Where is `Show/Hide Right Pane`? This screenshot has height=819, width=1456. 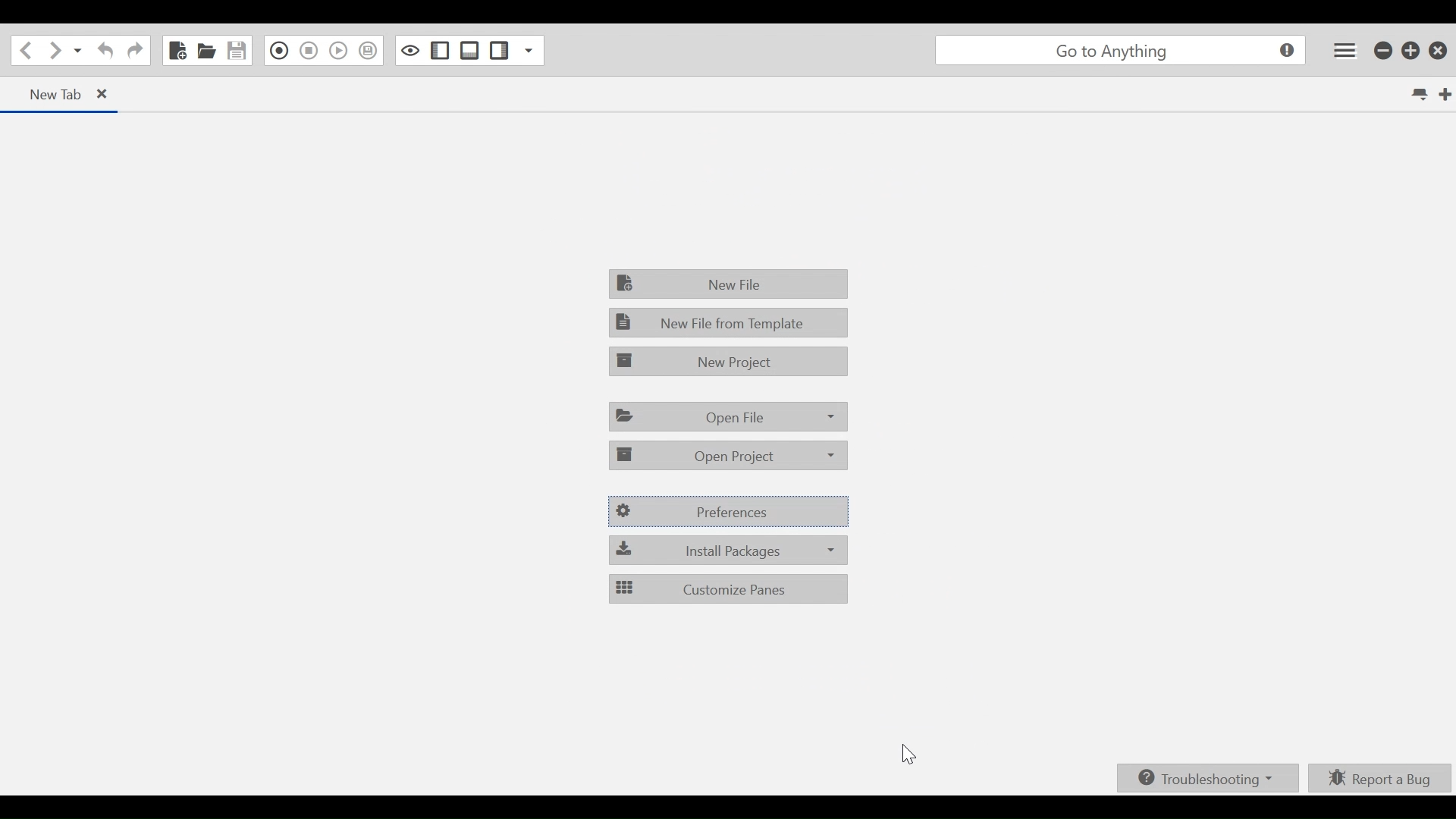 Show/Hide Right Pane is located at coordinates (440, 50).